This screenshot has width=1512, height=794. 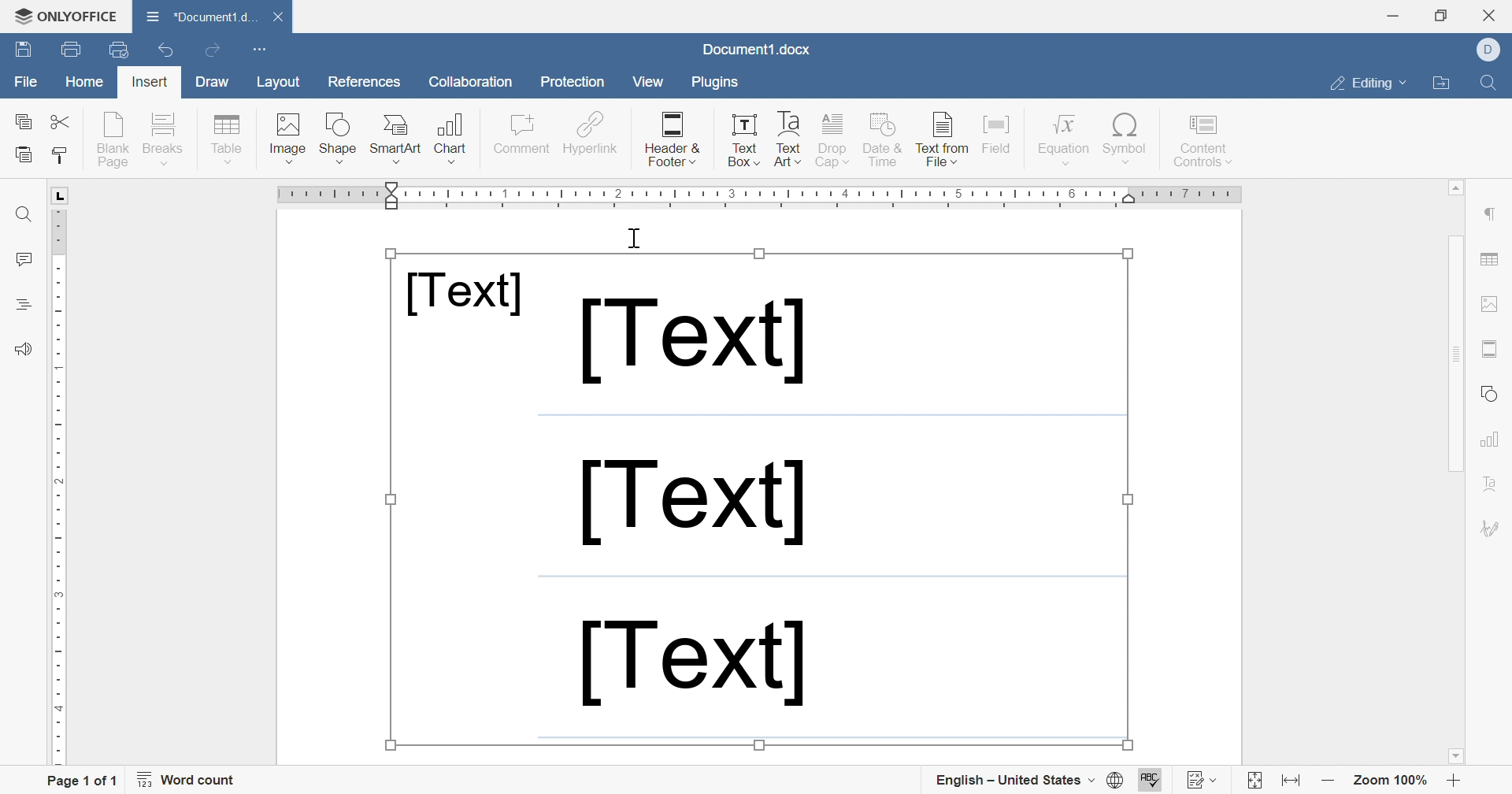 I want to click on DELL, so click(x=1489, y=50).